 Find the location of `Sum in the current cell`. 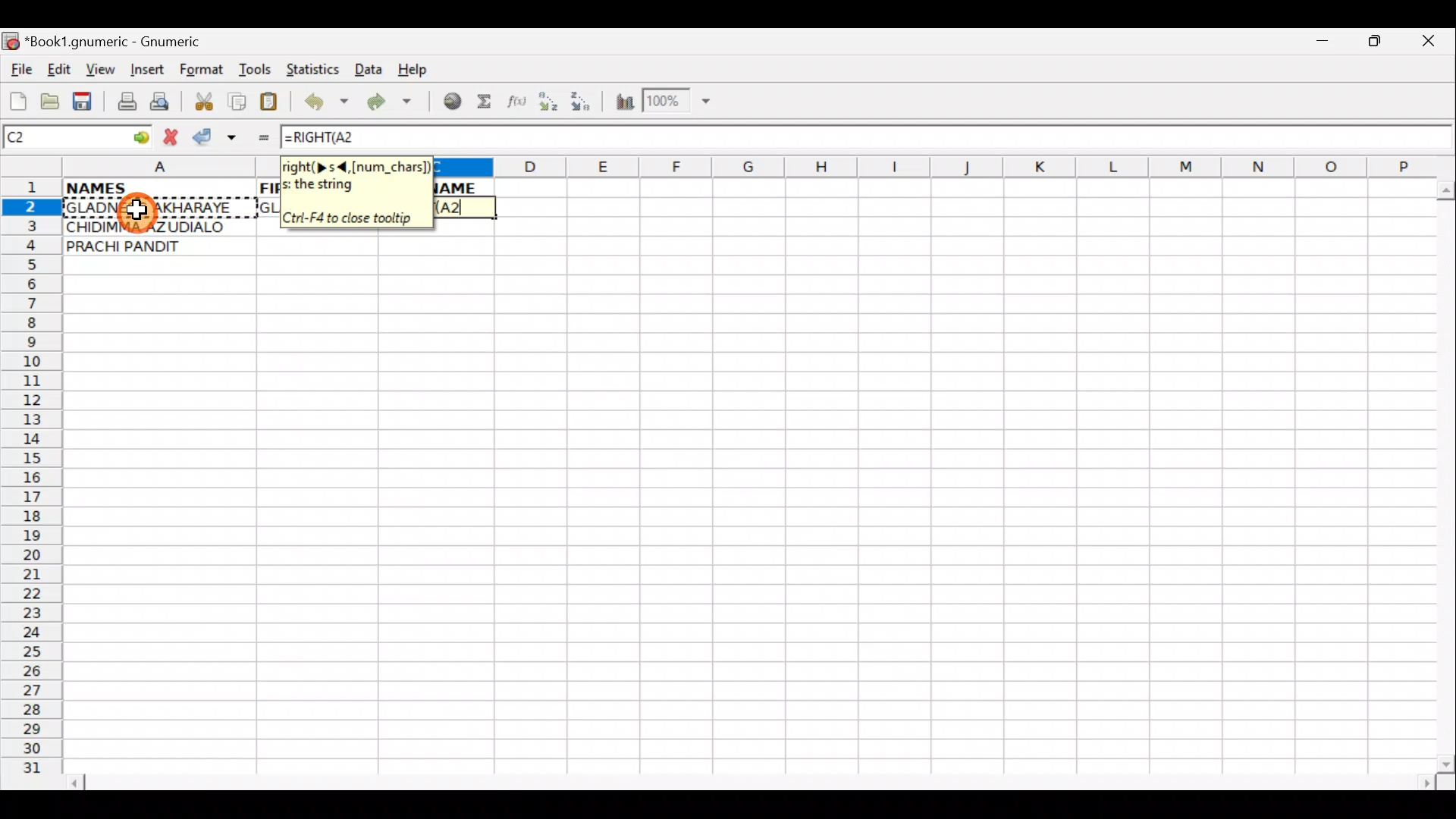

Sum in the current cell is located at coordinates (489, 102).